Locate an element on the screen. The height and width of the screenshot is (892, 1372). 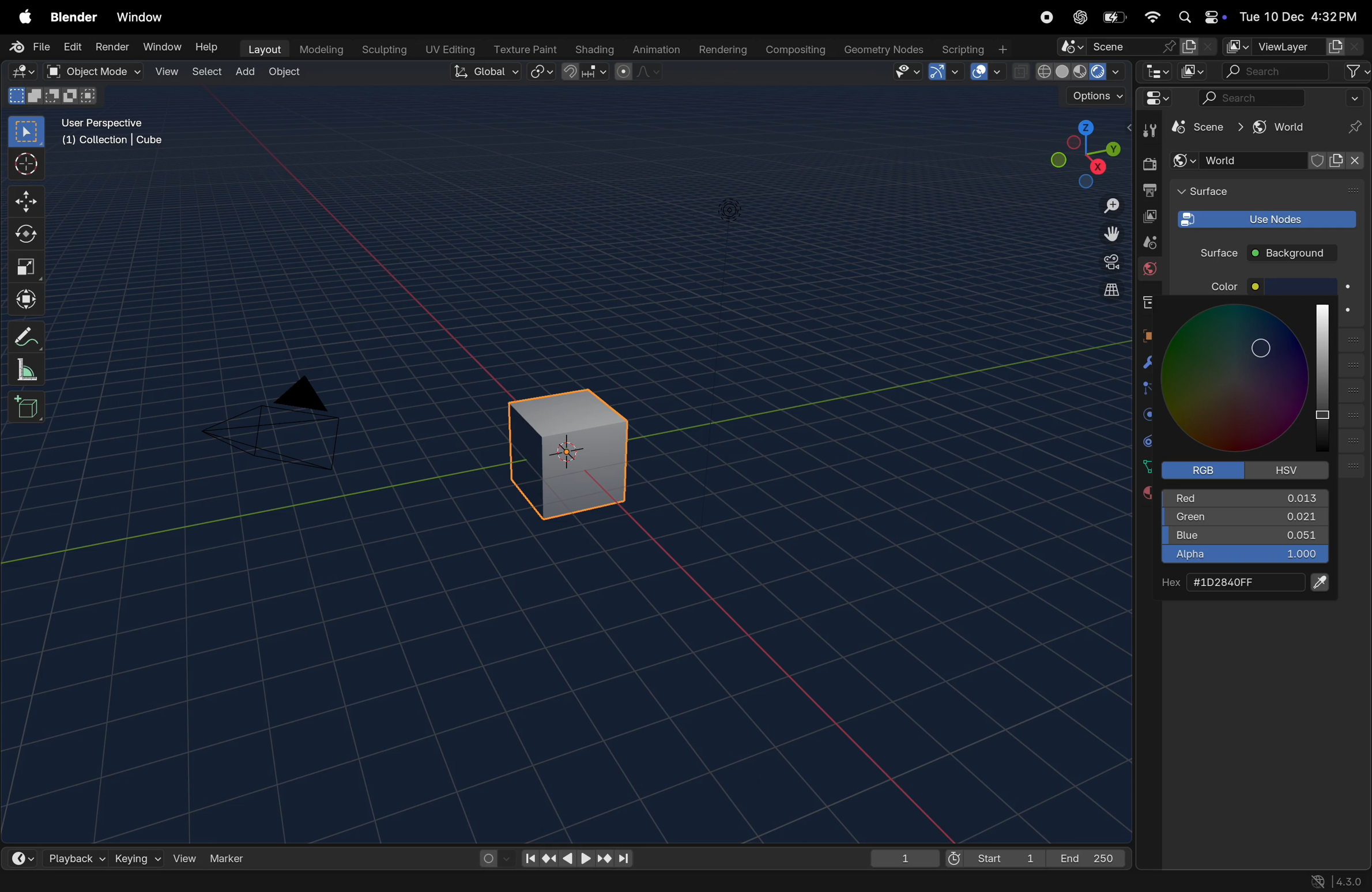
 is located at coordinates (1148, 191).